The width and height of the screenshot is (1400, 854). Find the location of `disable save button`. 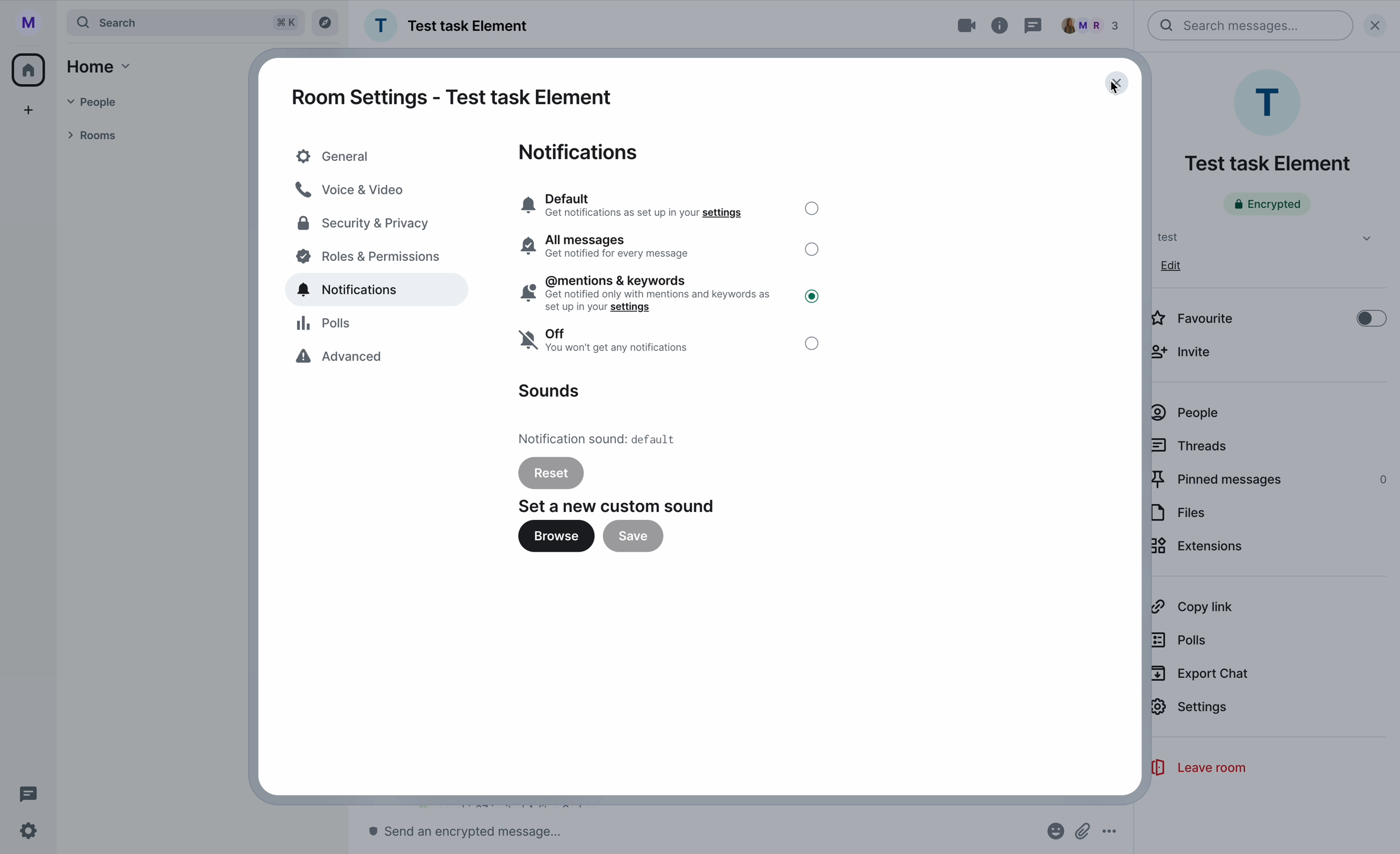

disable save button is located at coordinates (632, 536).